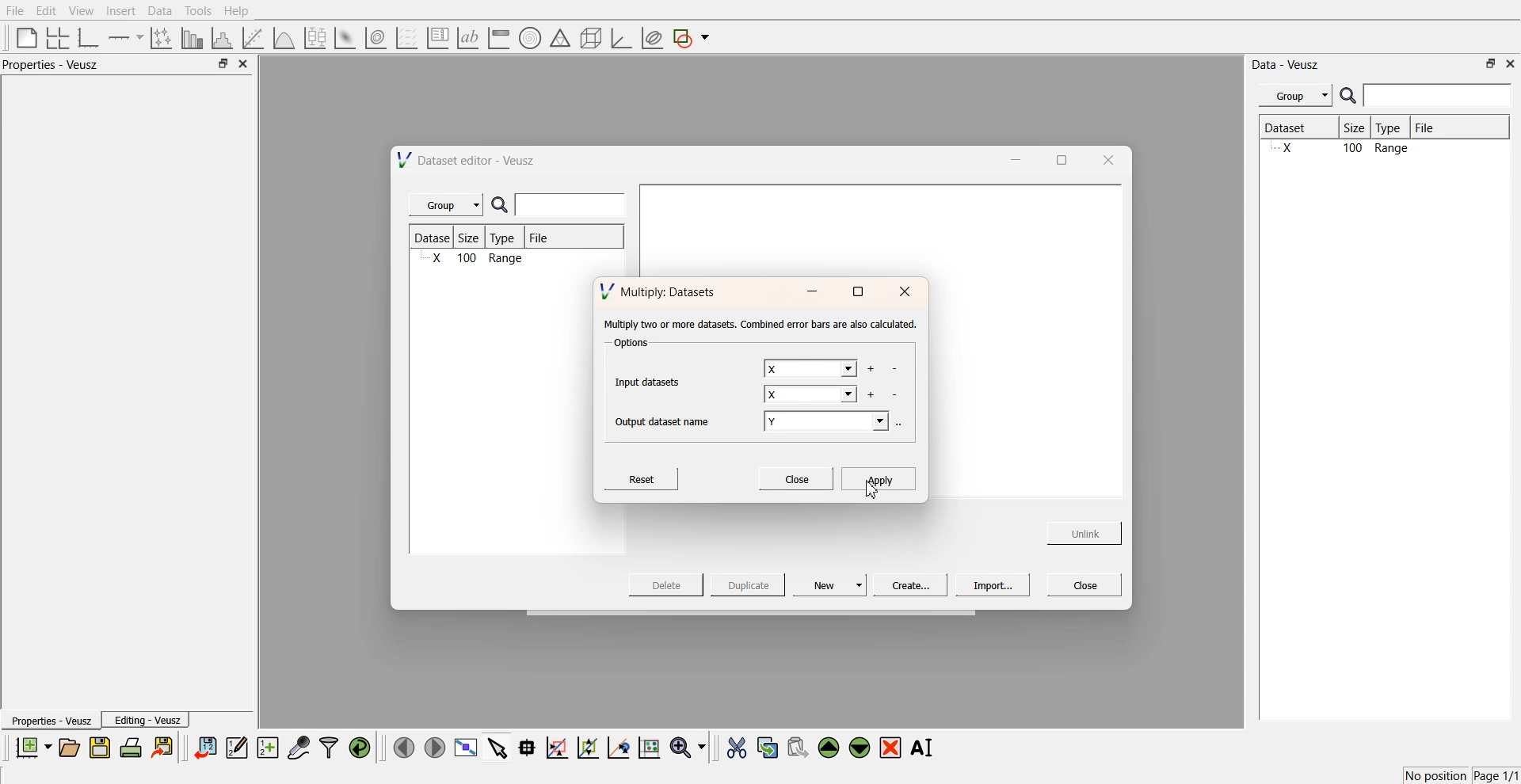  What do you see at coordinates (204, 748) in the screenshot?
I see `import data sets` at bounding box center [204, 748].